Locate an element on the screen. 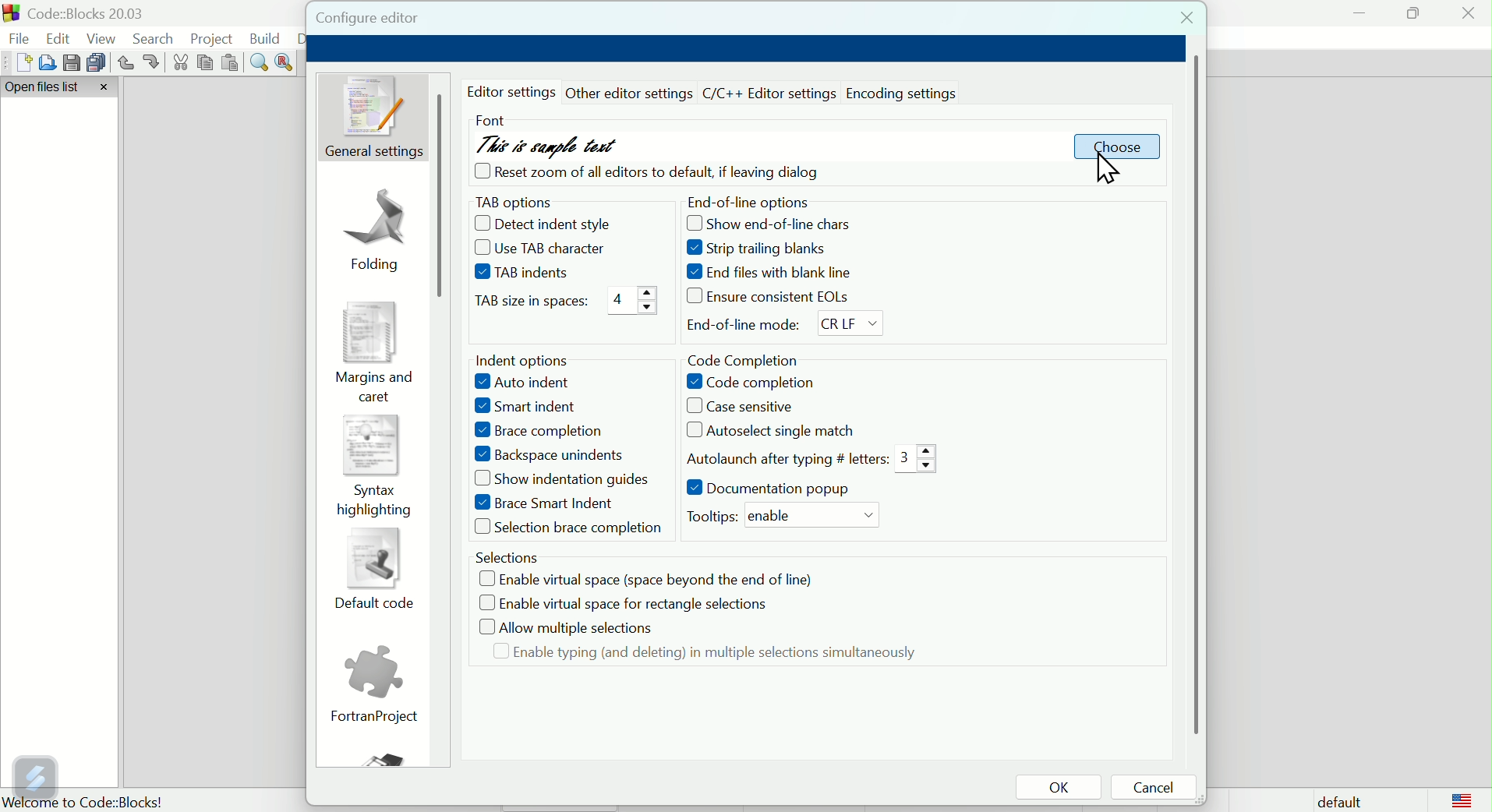 The image size is (1492, 812). cursor is located at coordinates (1105, 171).